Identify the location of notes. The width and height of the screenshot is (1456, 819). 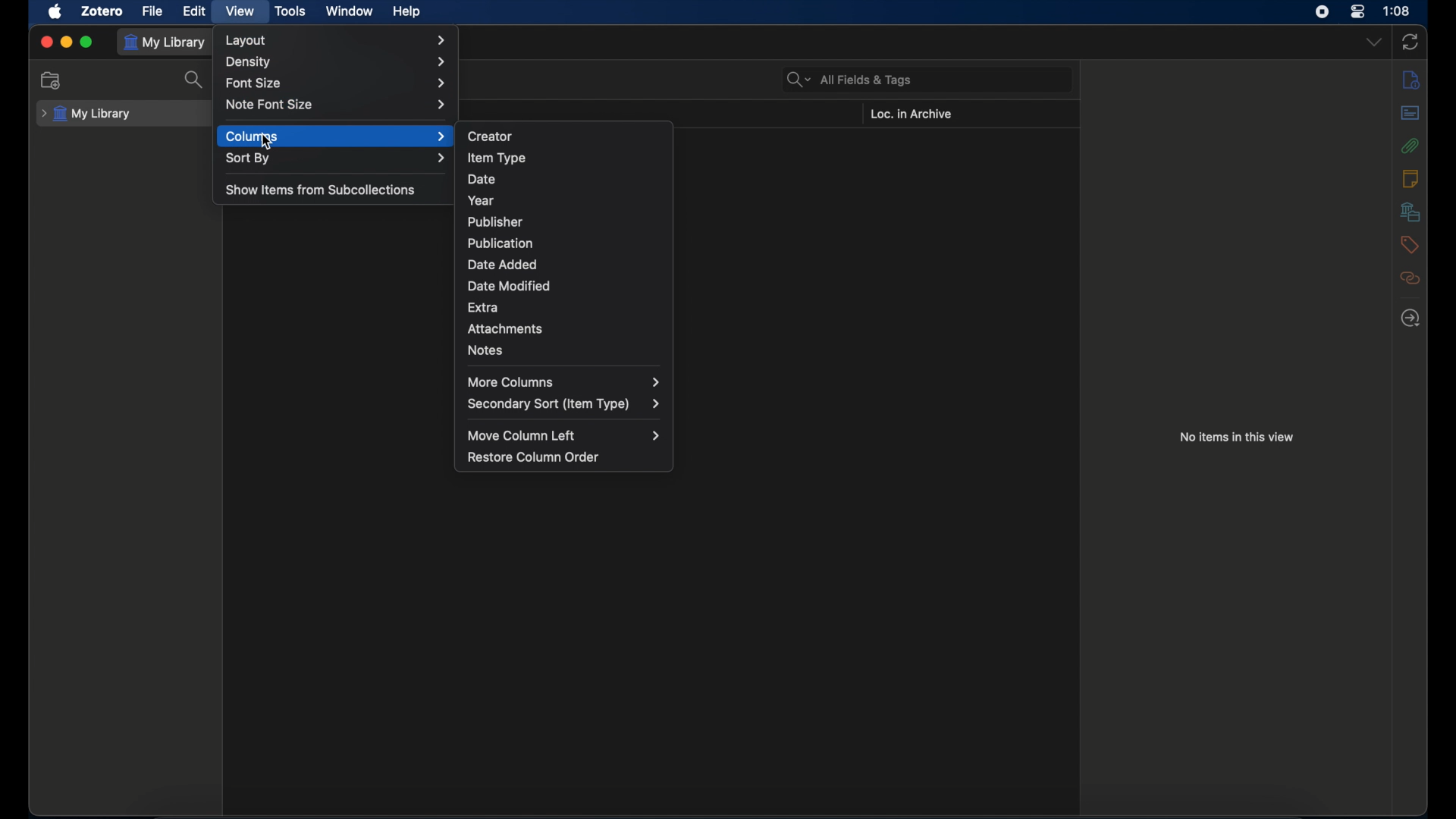
(1410, 178).